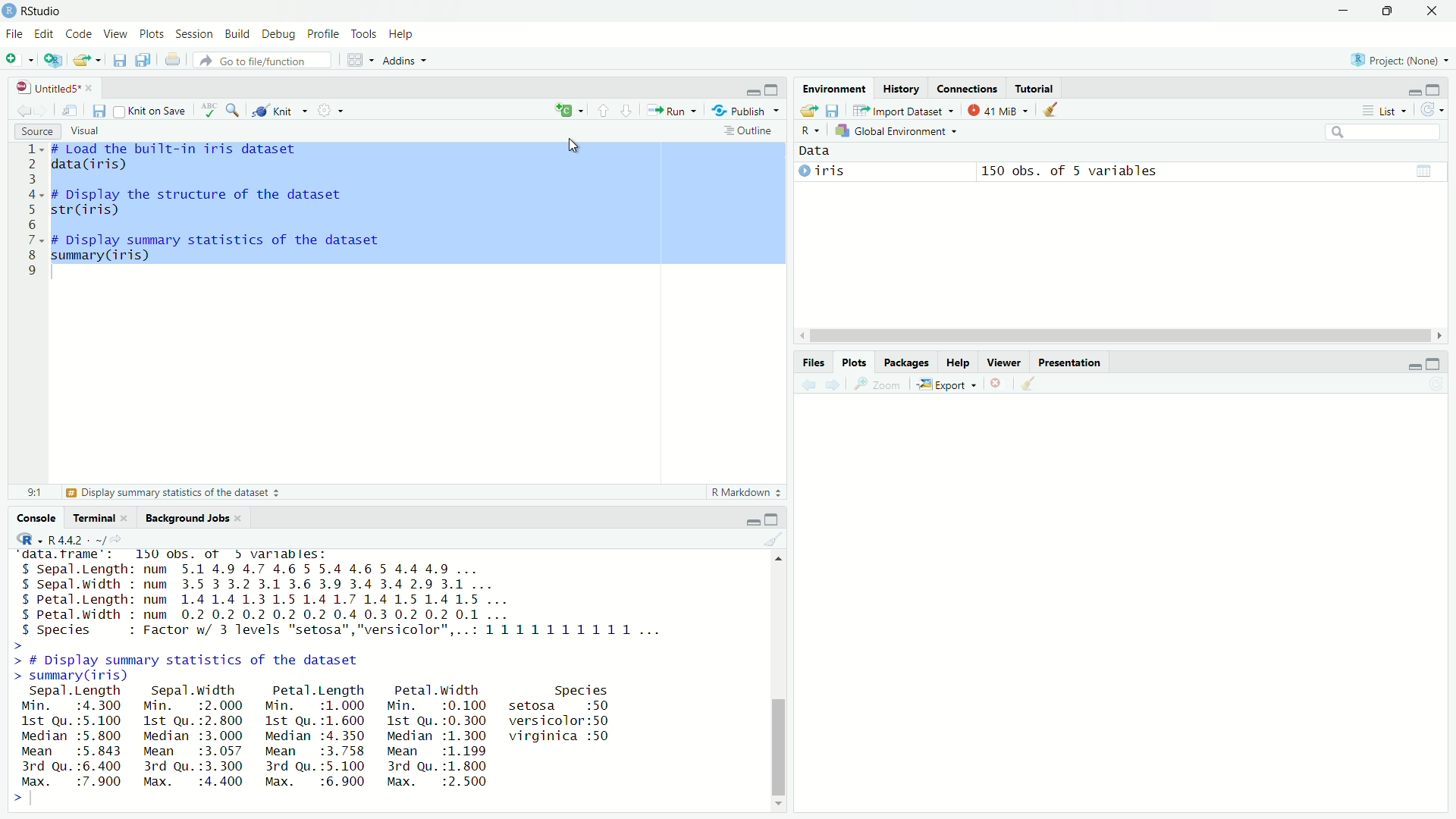 The image size is (1456, 819). Describe the element at coordinates (45, 34) in the screenshot. I see `Edit` at that location.